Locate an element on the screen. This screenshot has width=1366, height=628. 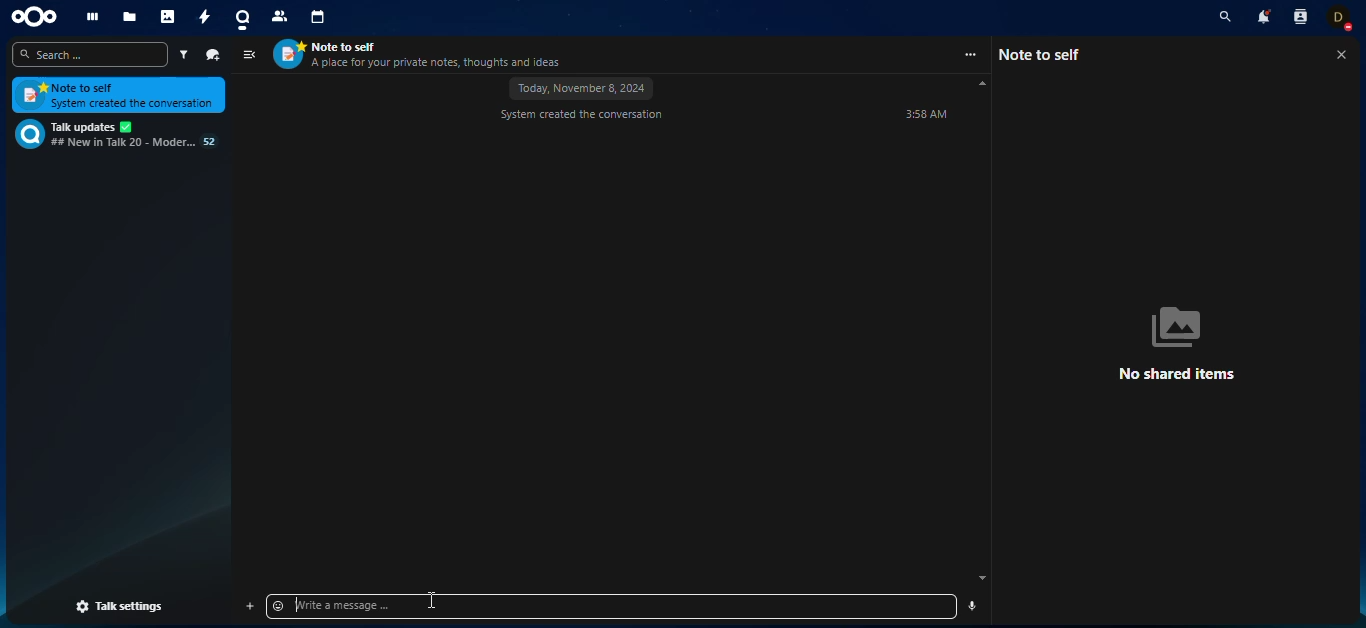
note is located at coordinates (119, 96).